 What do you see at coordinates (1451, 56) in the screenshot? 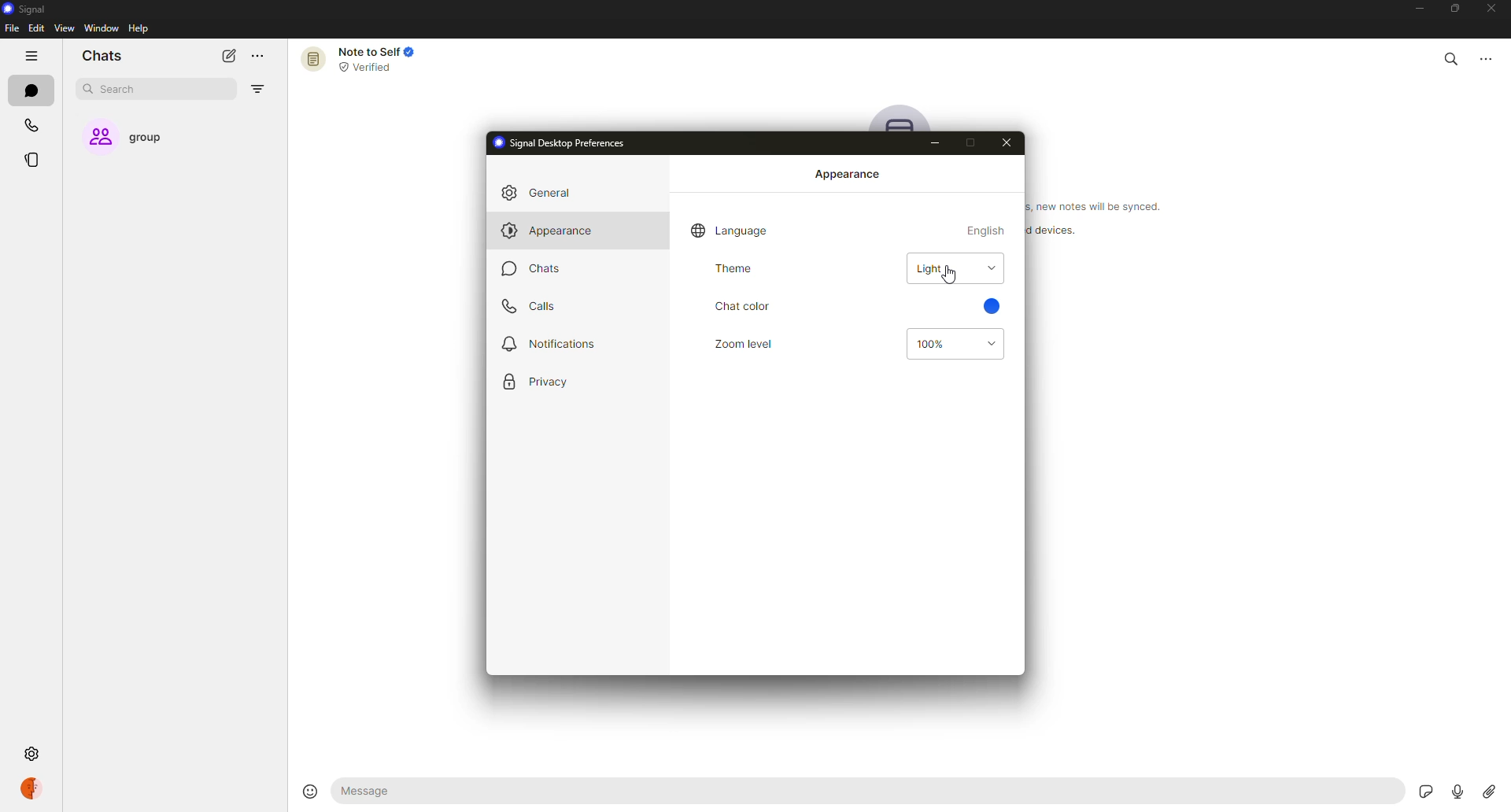
I see `search` at bounding box center [1451, 56].